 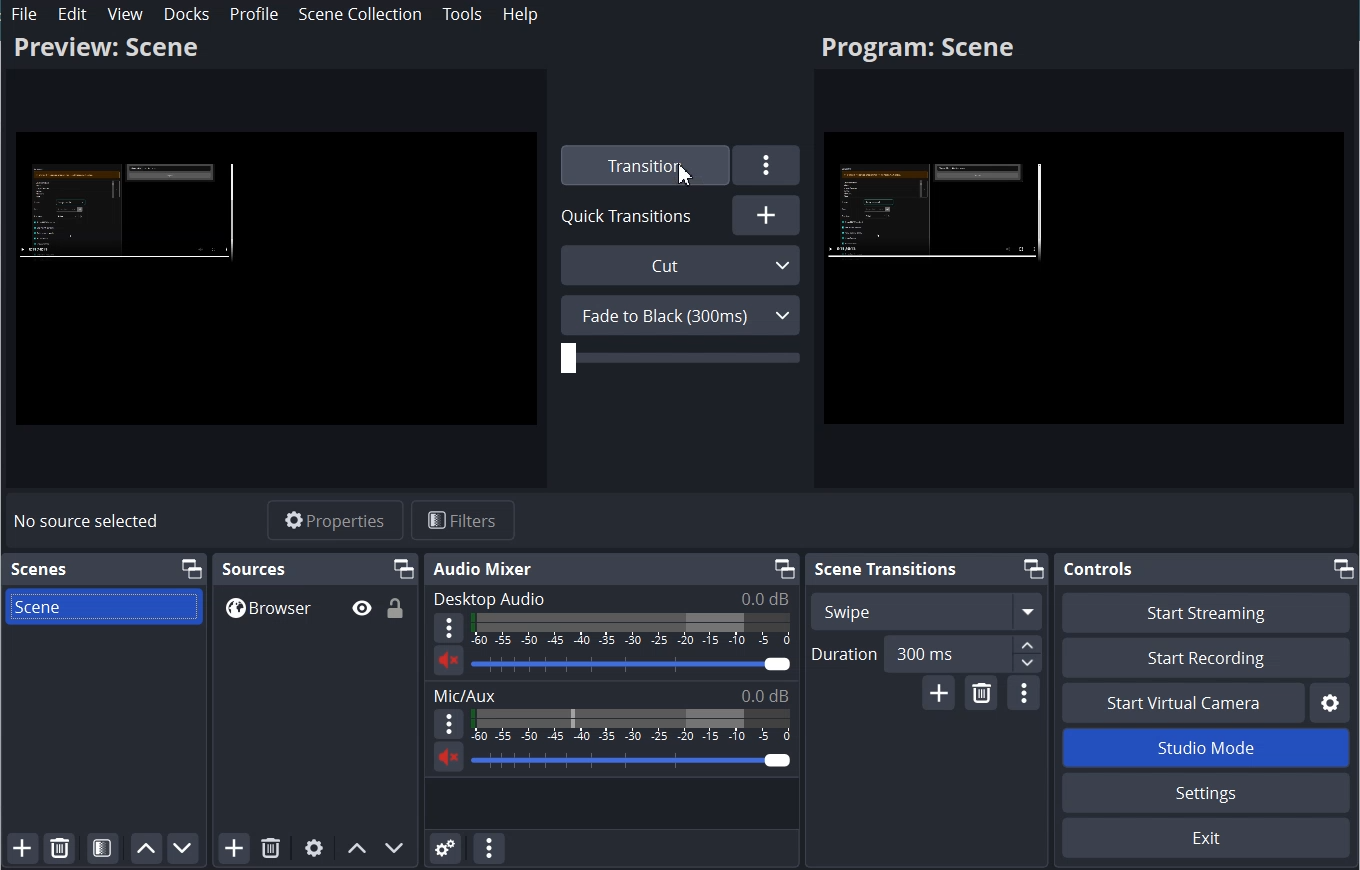 I want to click on Sound Indicator, so click(x=632, y=630).